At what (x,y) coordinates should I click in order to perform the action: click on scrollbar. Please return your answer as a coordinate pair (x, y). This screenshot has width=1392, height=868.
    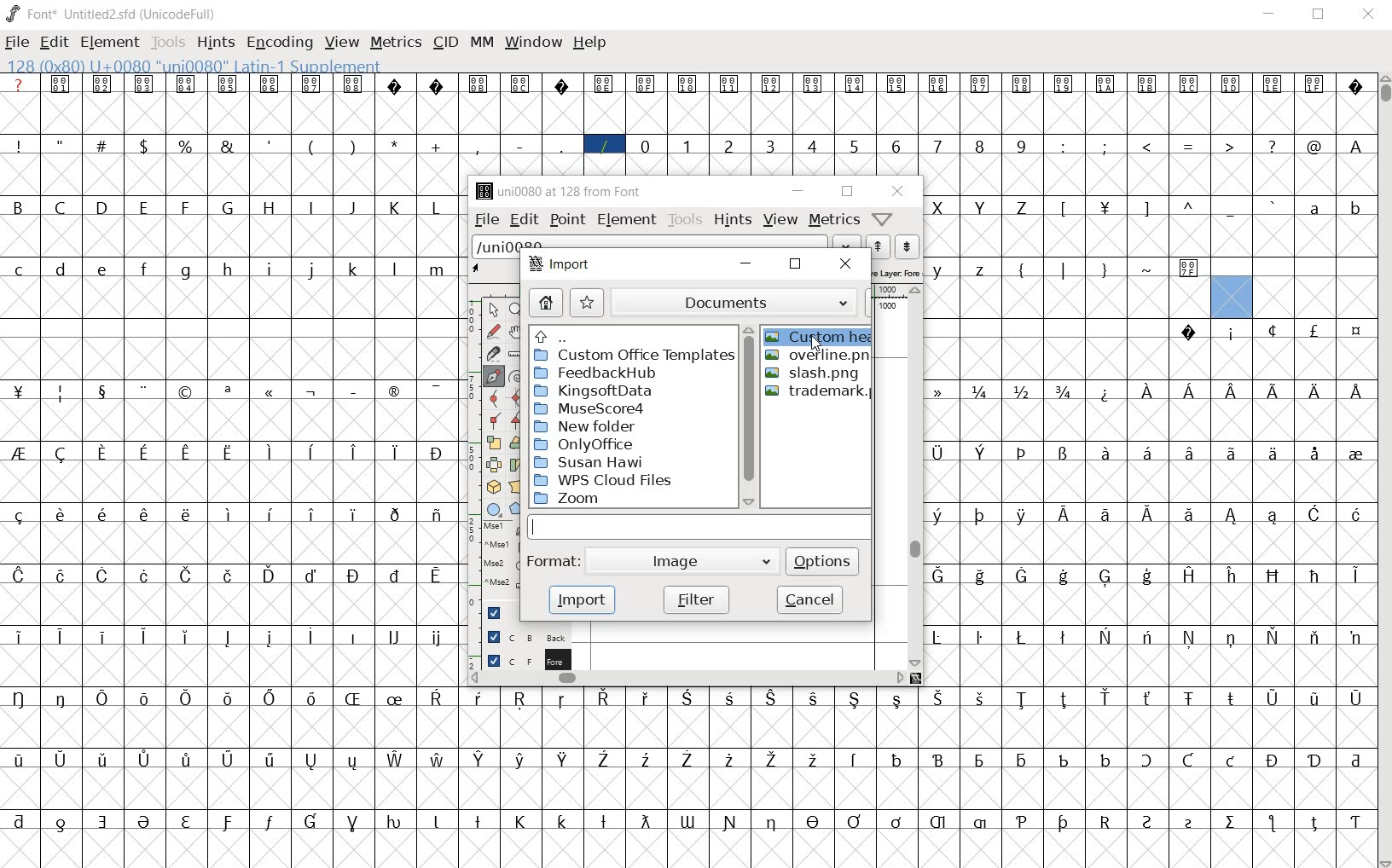
    Looking at the image, I should click on (749, 417).